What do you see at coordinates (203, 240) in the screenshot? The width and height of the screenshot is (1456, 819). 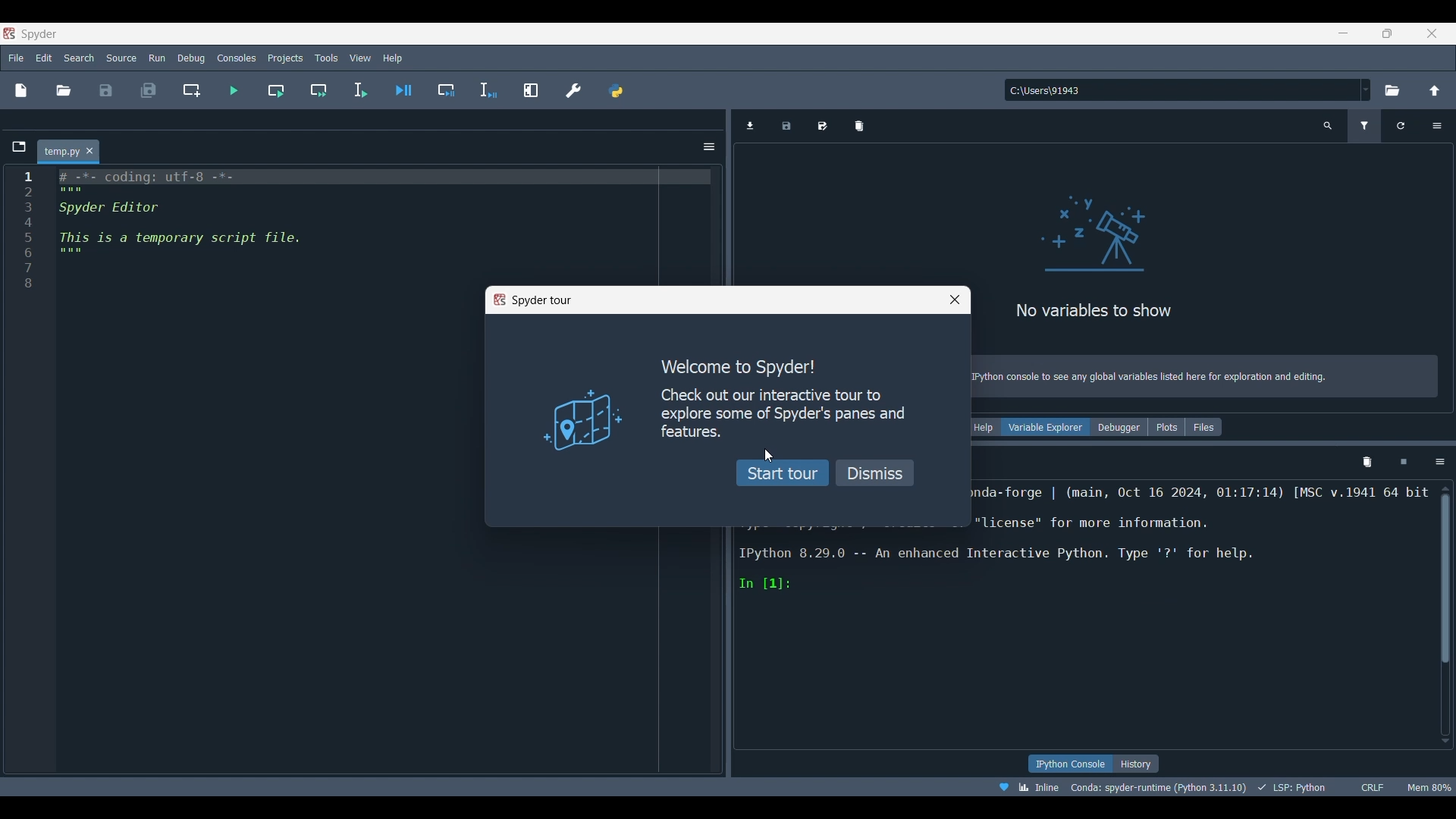 I see `code area` at bounding box center [203, 240].